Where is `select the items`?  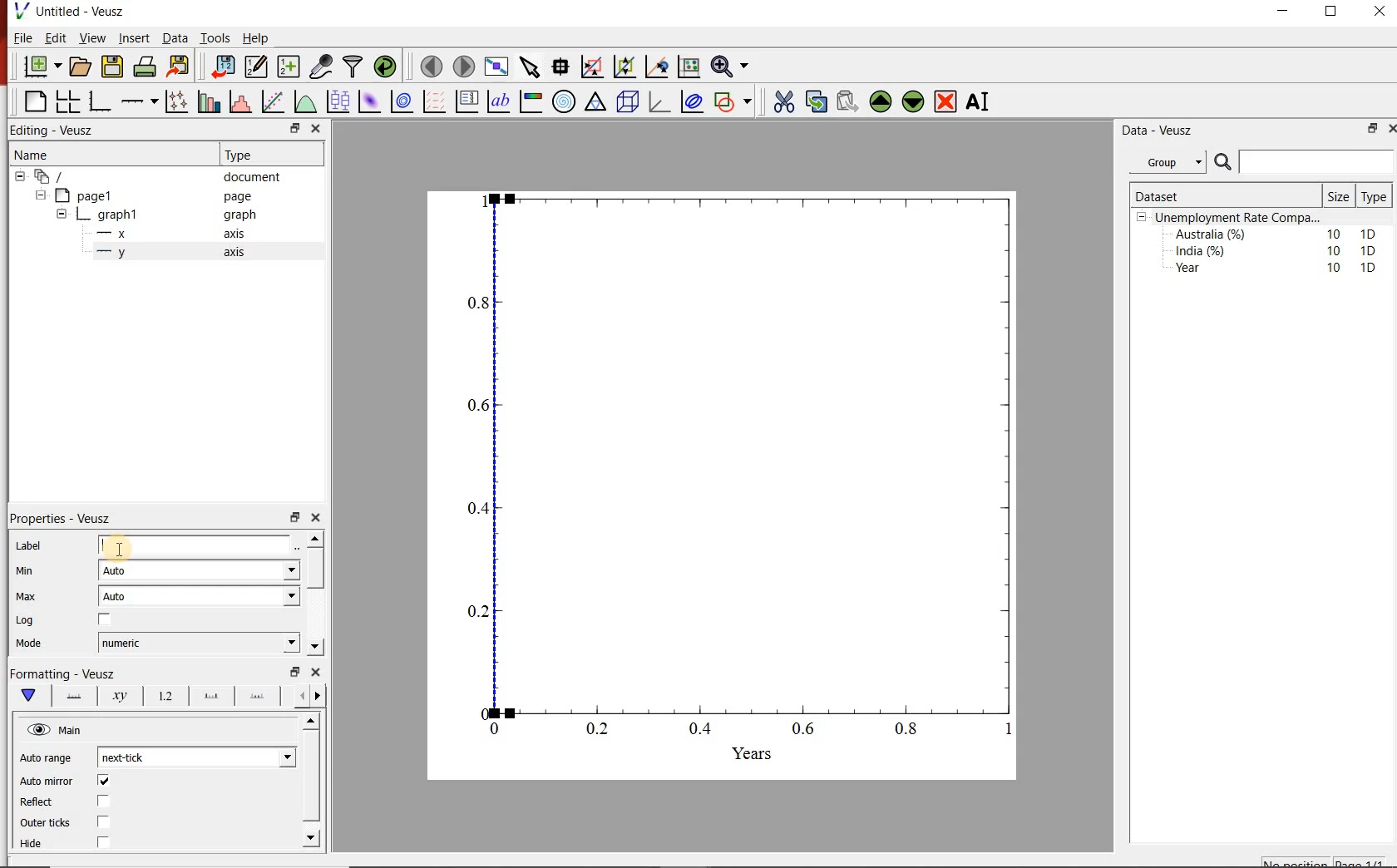 select the items is located at coordinates (531, 65).